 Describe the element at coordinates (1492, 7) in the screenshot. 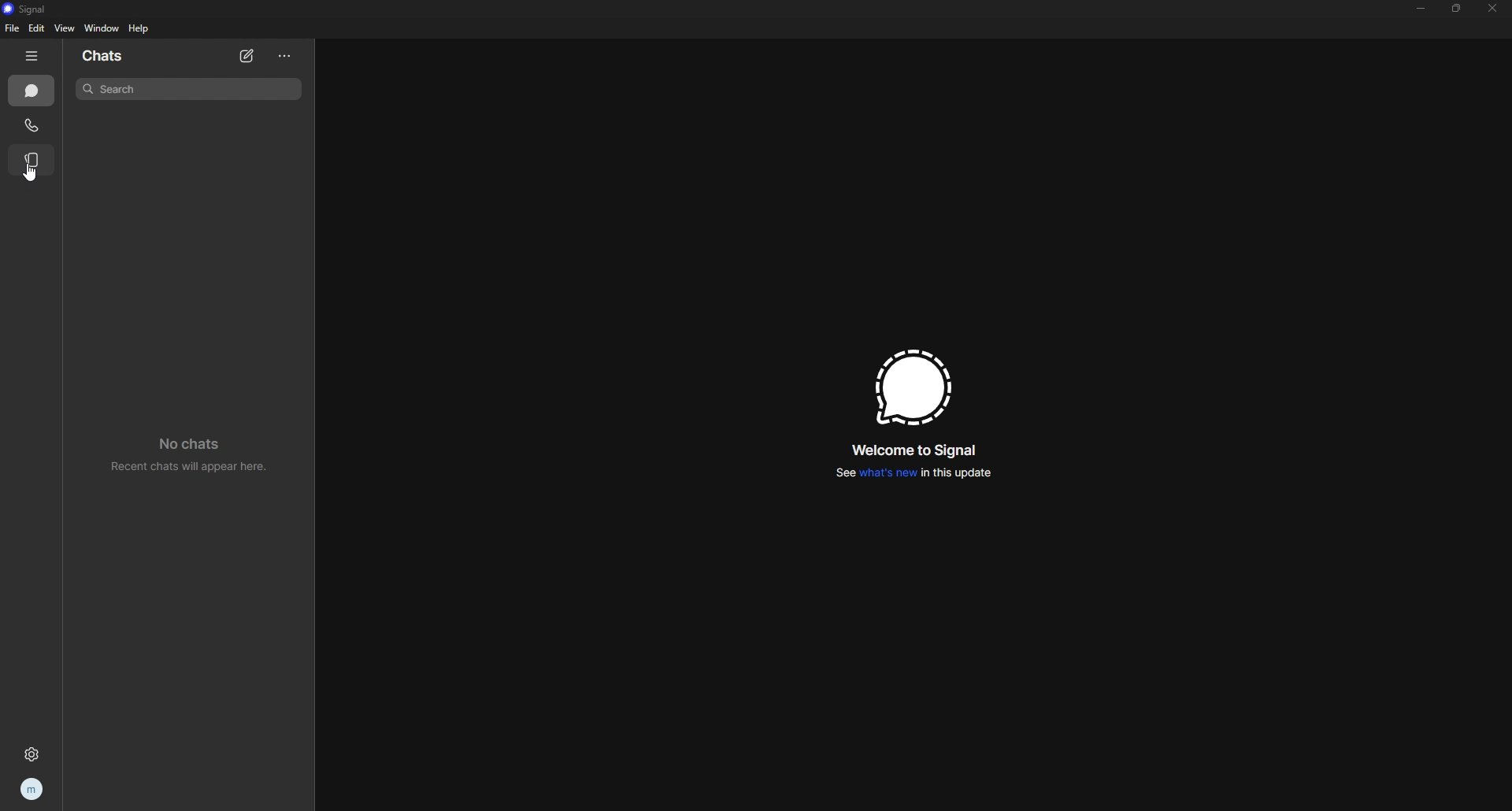

I see `close` at that location.